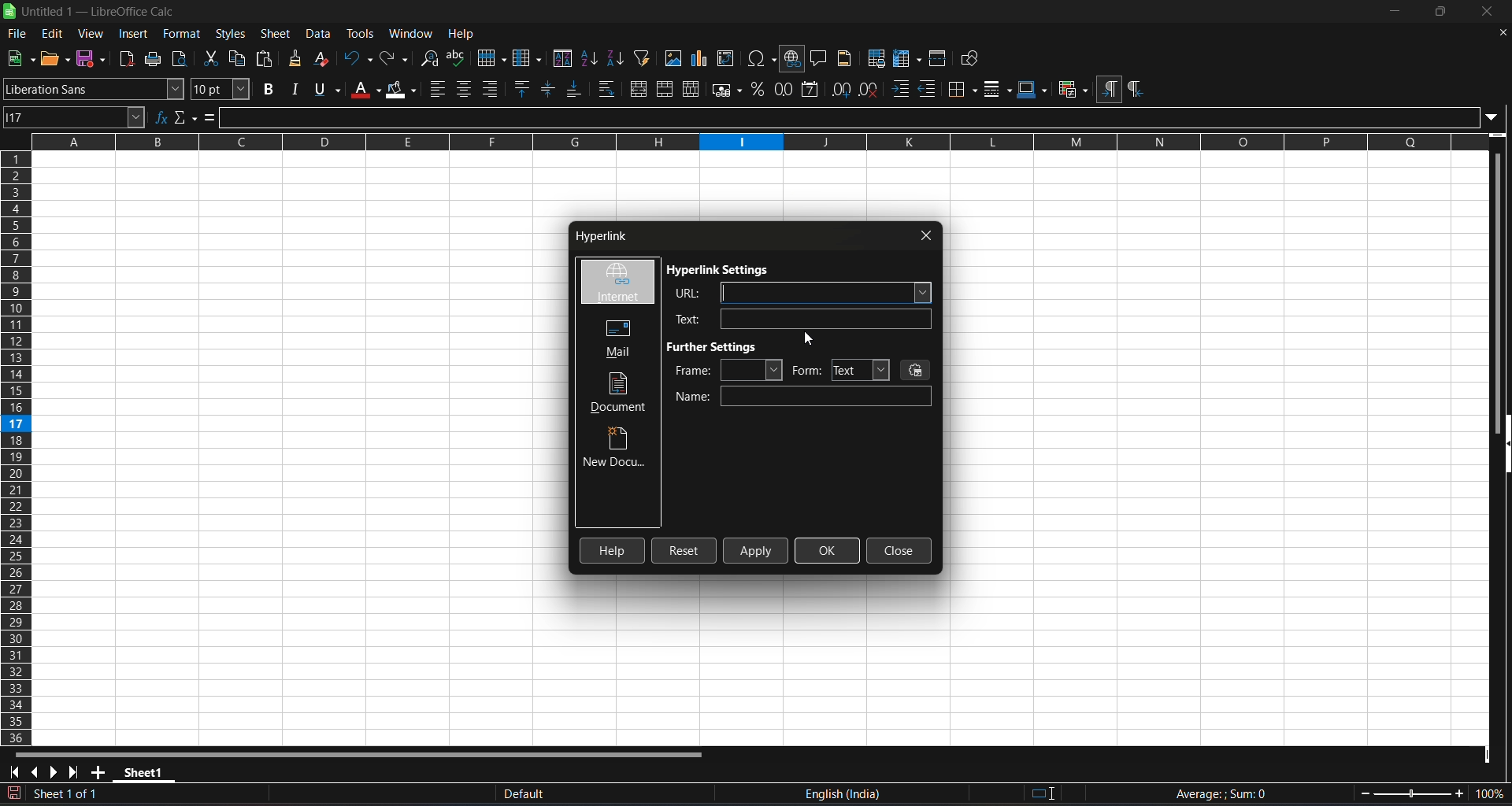 This screenshot has height=806, width=1512. What do you see at coordinates (222, 89) in the screenshot?
I see `font size` at bounding box center [222, 89].